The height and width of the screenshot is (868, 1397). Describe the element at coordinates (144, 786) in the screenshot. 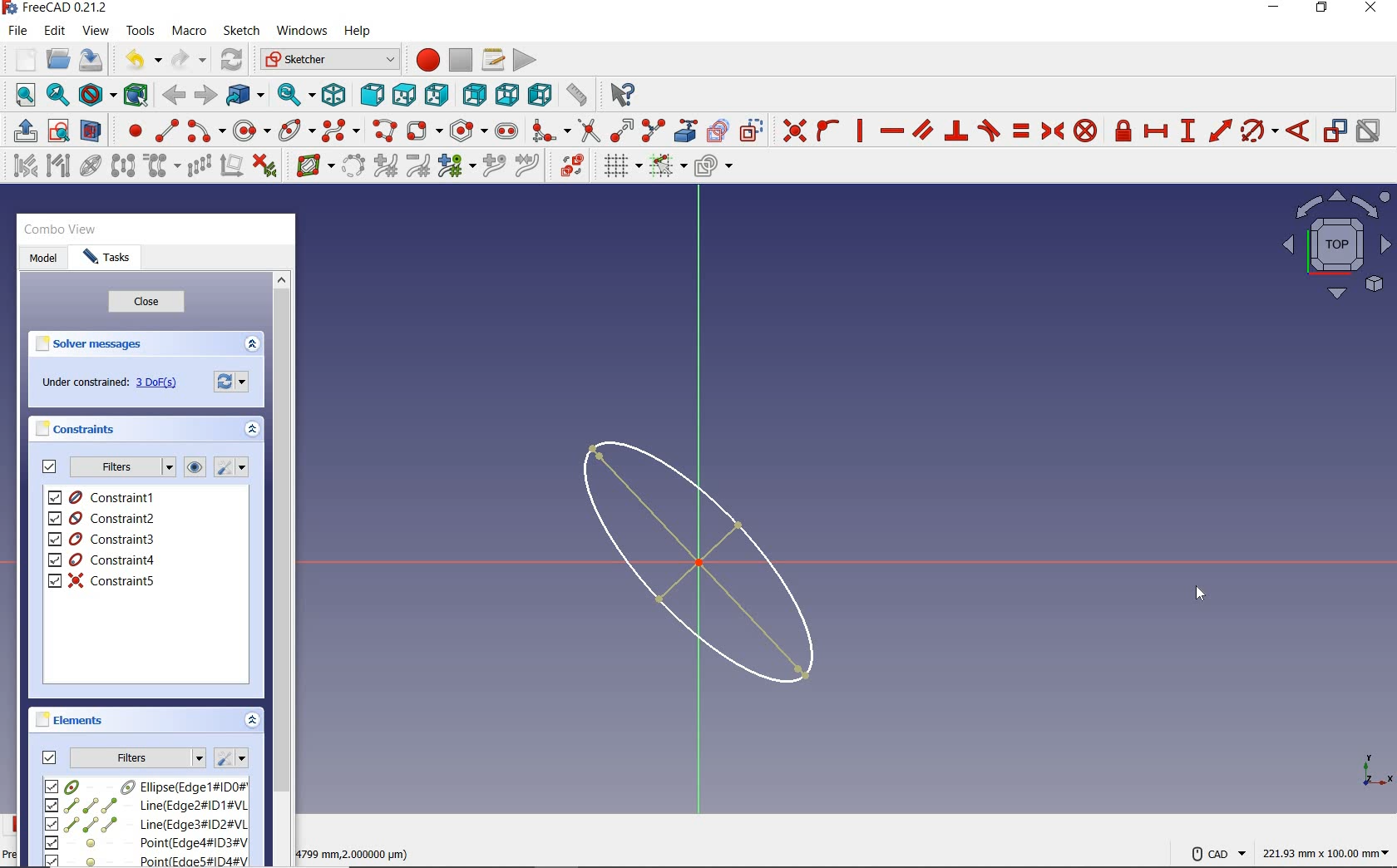

I see `element1` at that location.